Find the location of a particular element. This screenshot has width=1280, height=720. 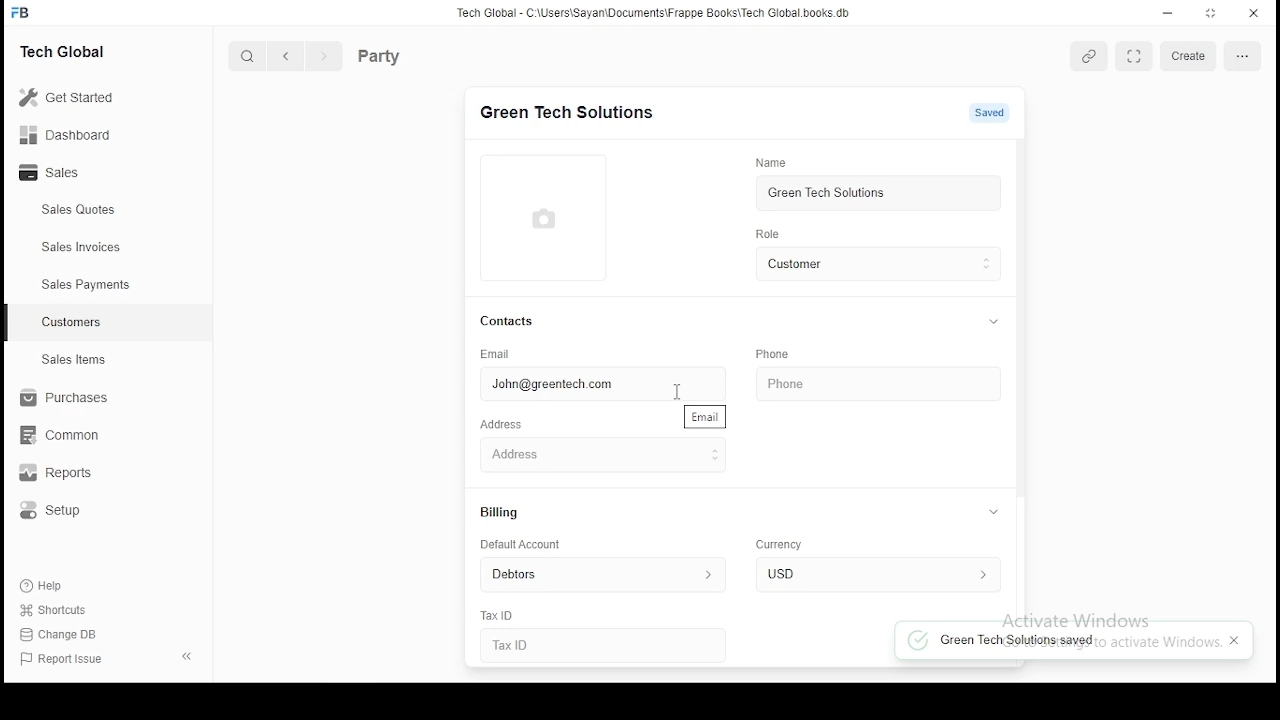

billing is located at coordinates (501, 514).